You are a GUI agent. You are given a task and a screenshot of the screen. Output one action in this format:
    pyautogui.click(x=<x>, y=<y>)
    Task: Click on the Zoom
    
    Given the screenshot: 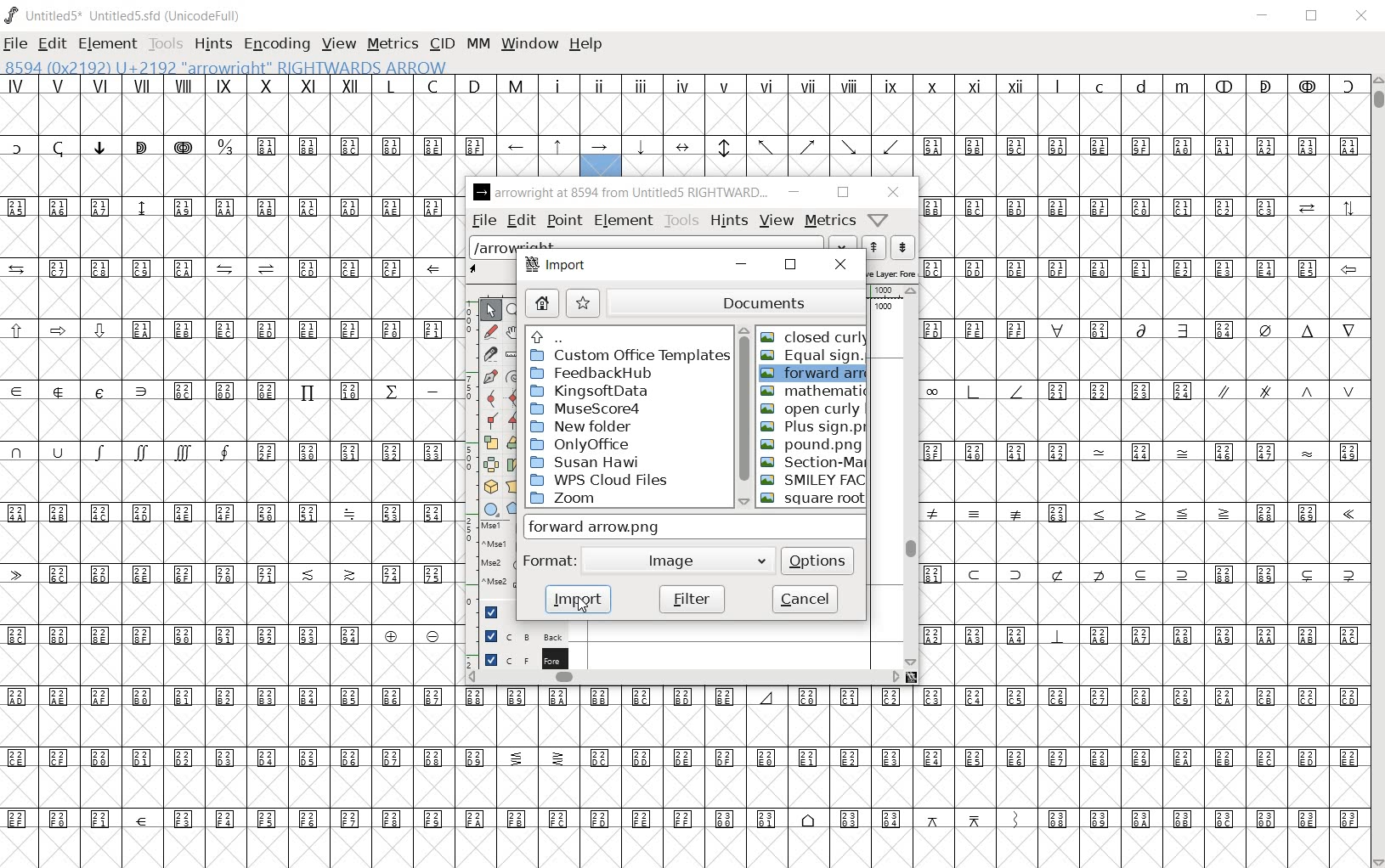 What is the action you would take?
    pyautogui.click(x=595, y=499)
    